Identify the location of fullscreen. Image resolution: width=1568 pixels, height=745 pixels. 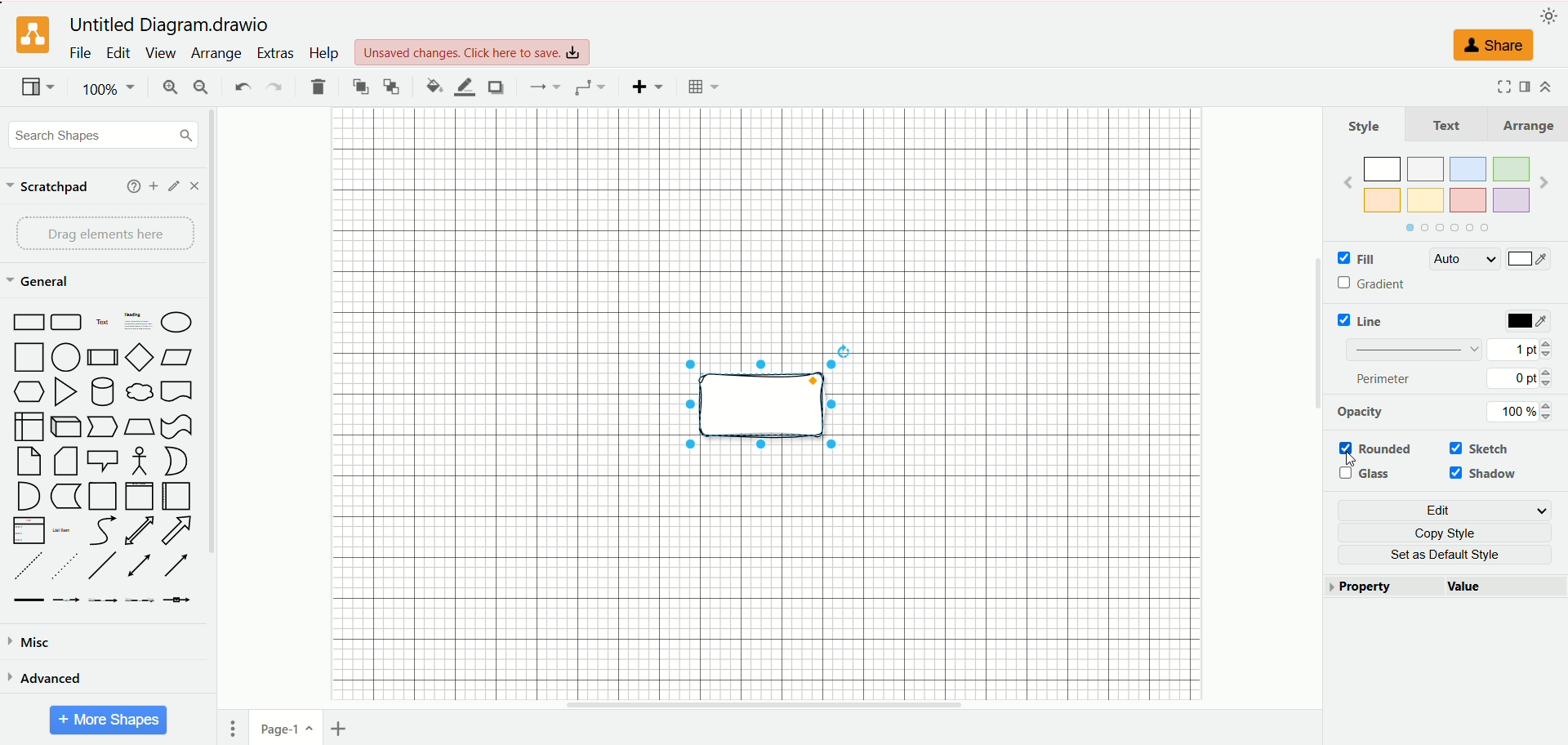
(1501, 86).